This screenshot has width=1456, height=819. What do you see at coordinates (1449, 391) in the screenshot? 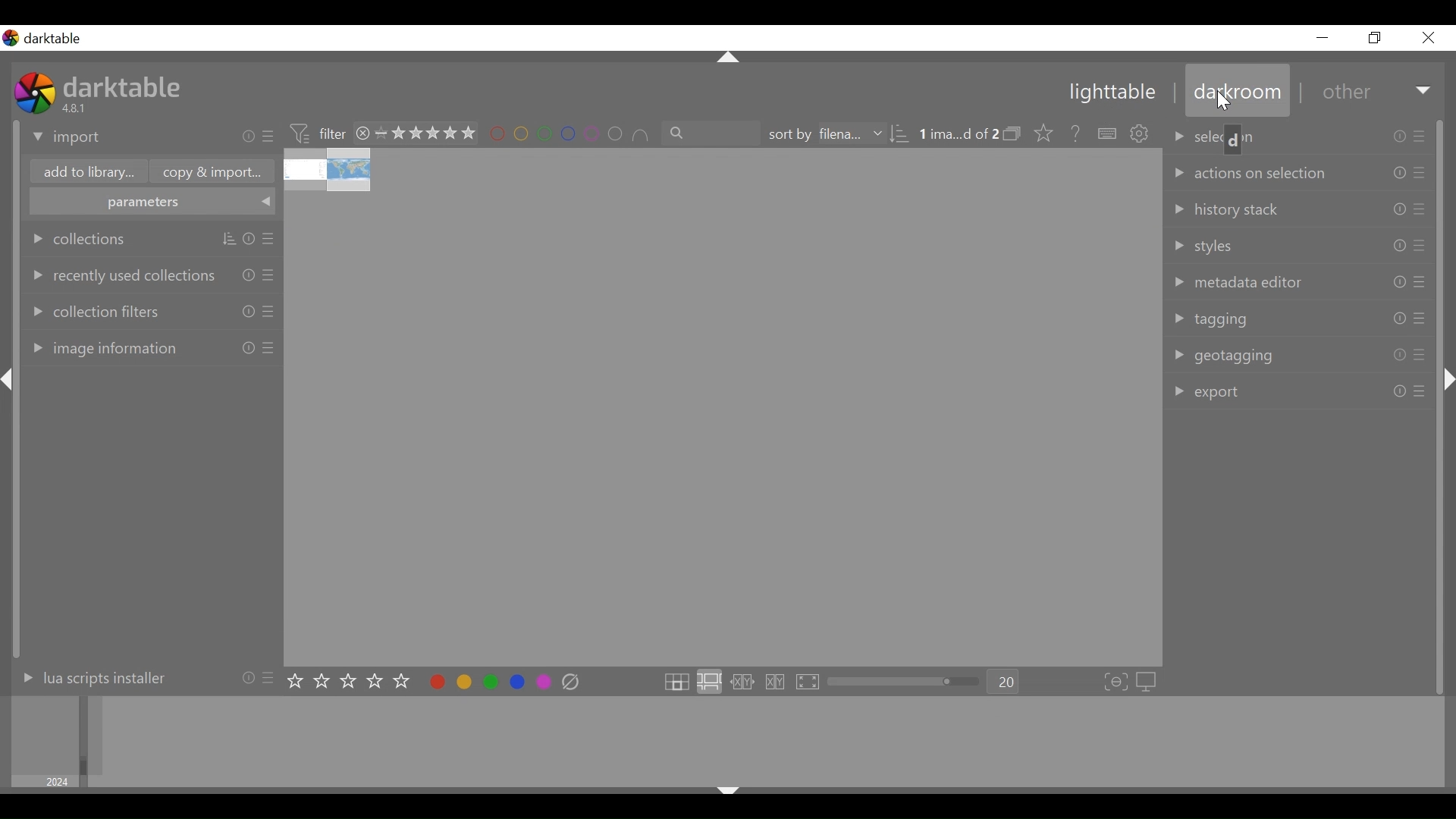
I see `` at bounding box center [1449, 391].